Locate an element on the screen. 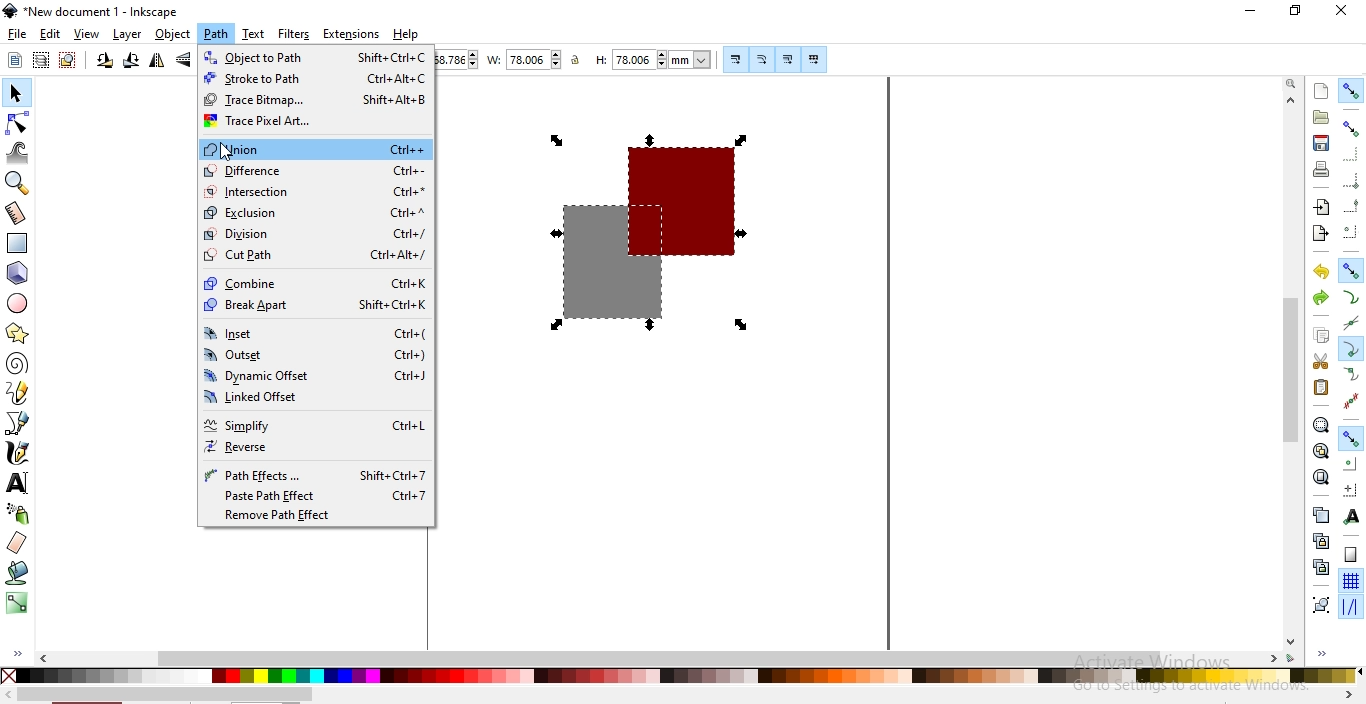 This screenshot has width=1366, height=704. restore down is located at coordinates (1296, 12).